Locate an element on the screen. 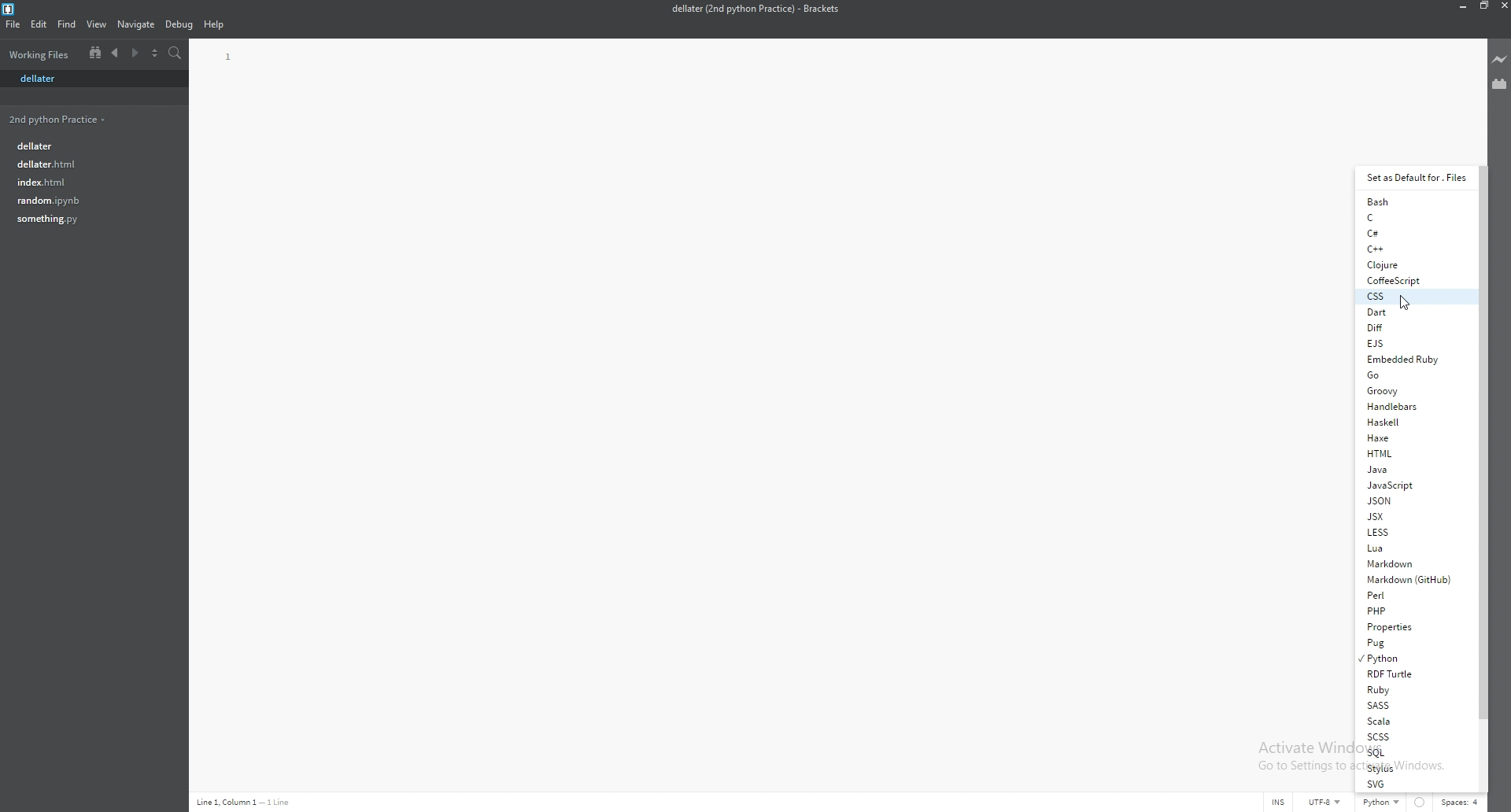  edit is located at coordinates (39, 24).